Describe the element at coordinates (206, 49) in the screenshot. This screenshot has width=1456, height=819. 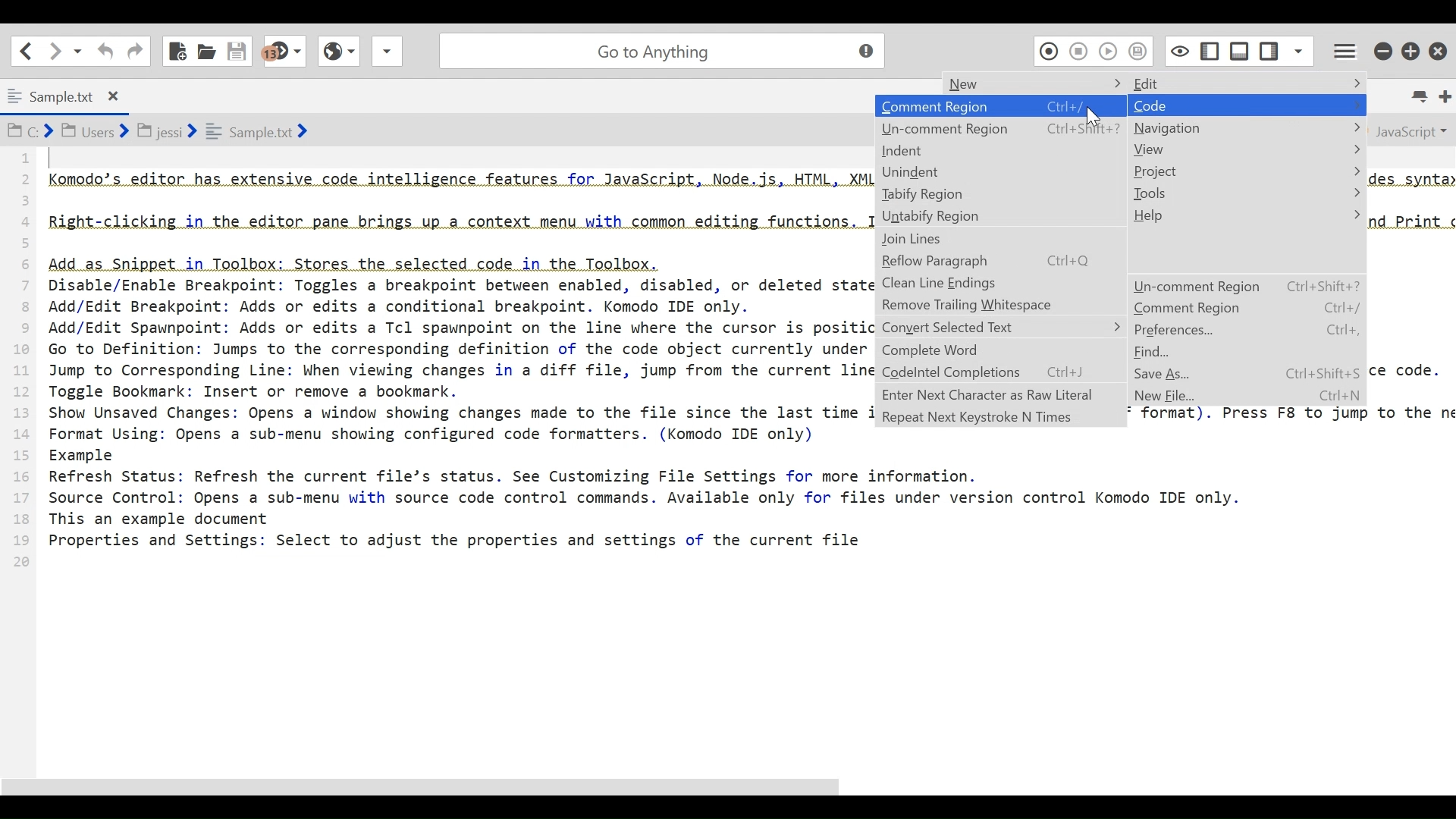
I see `Open File` at that location.